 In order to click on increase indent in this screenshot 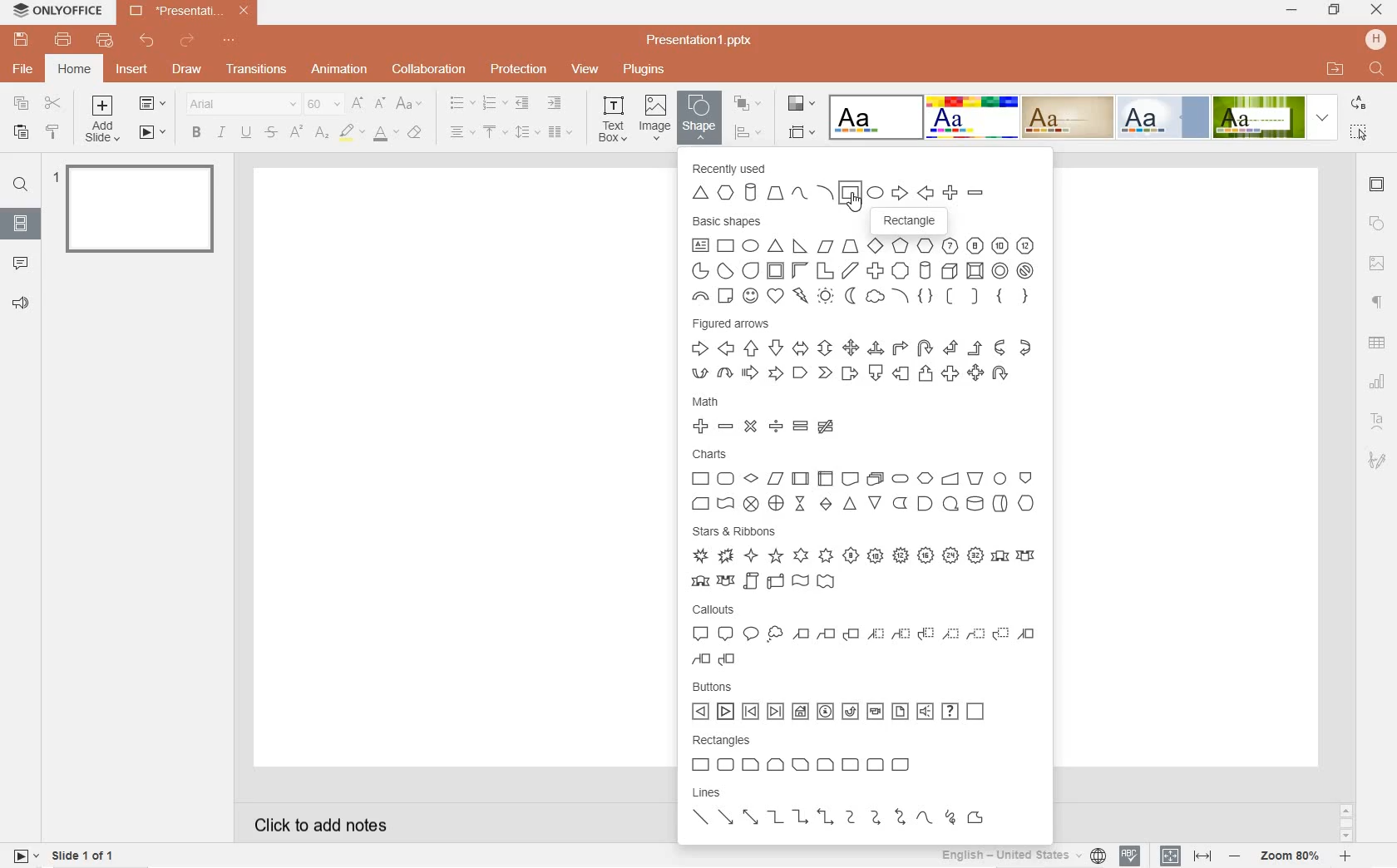, I will do `click(555, 104)`.